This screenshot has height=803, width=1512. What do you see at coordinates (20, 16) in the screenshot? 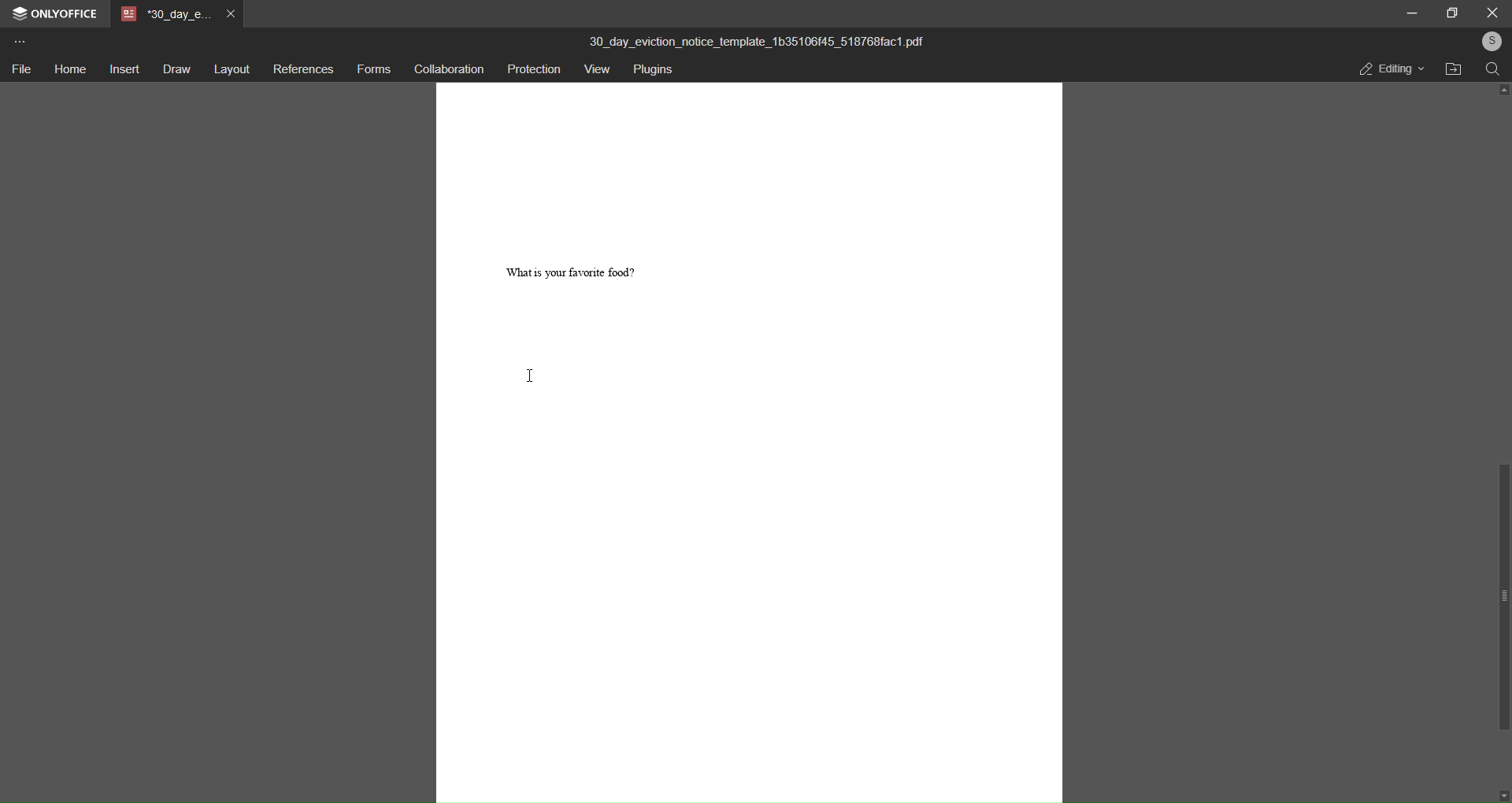
I see `logo` at bounding box center [20, 16].